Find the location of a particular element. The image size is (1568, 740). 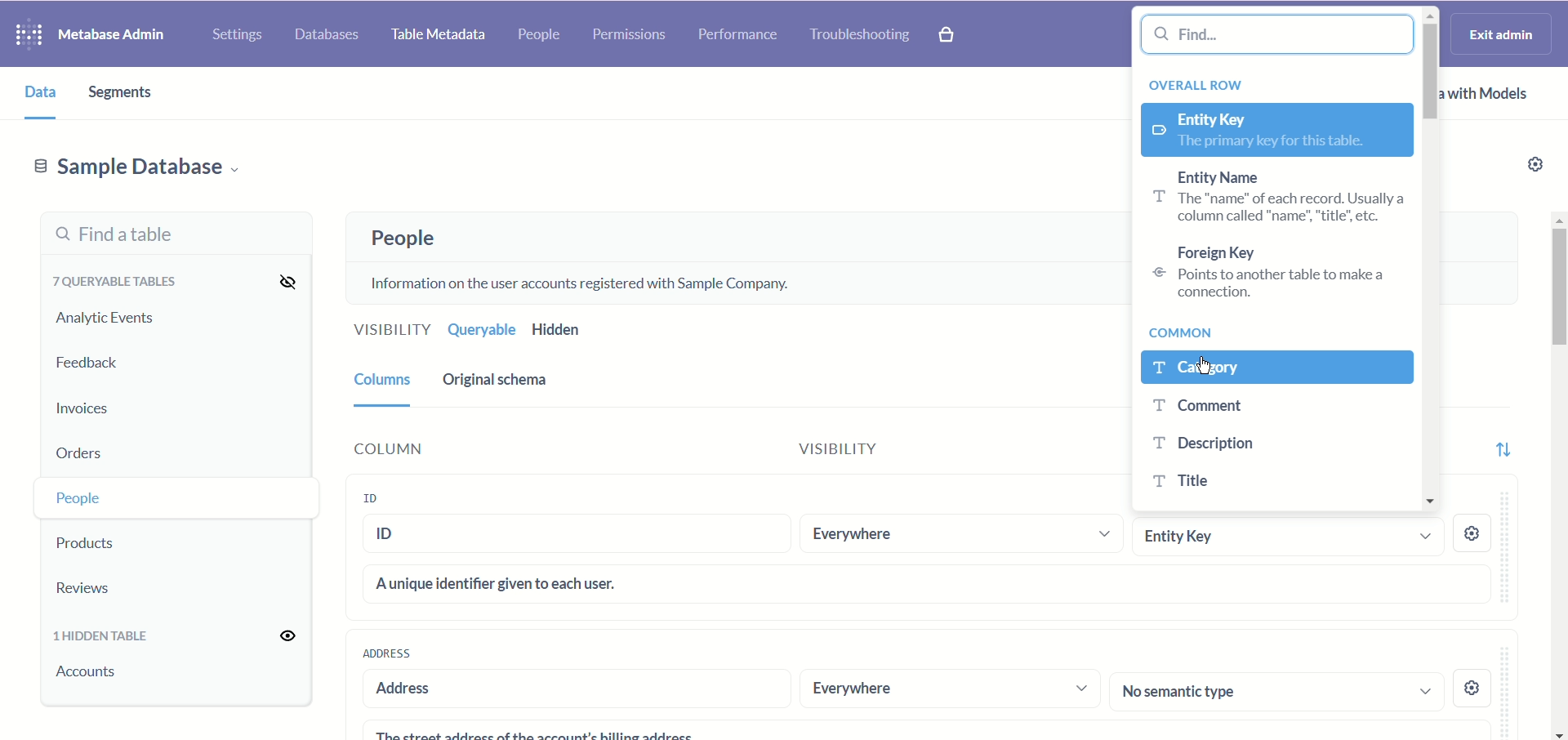

settings is located at coordinates (1530, 167).